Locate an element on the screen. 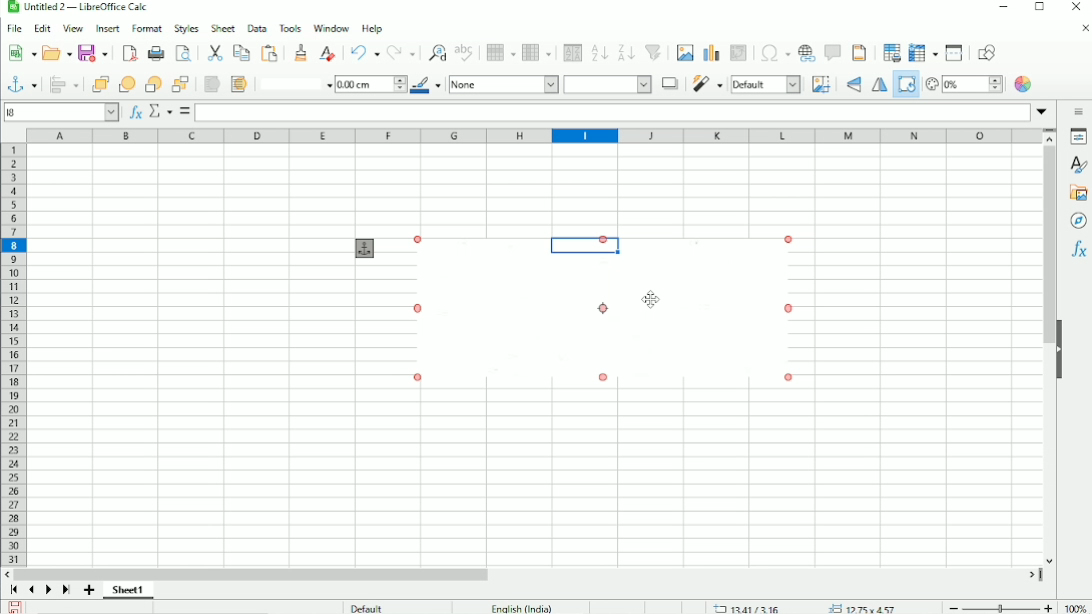 This screenshot has height=614, width=1092. Properties is located at coordinates (1076, 137).